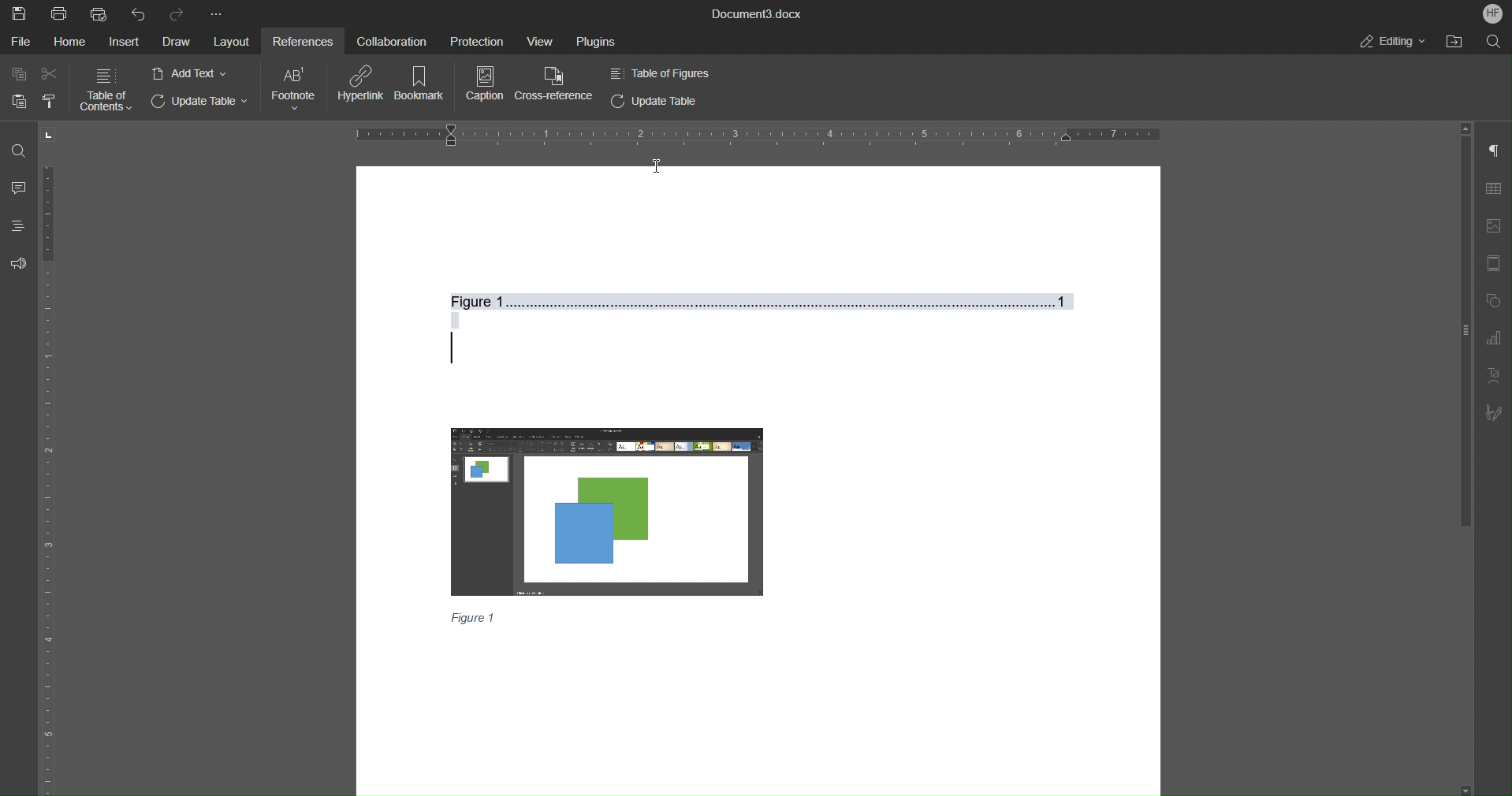  I want to click on More, so click(217, 11).